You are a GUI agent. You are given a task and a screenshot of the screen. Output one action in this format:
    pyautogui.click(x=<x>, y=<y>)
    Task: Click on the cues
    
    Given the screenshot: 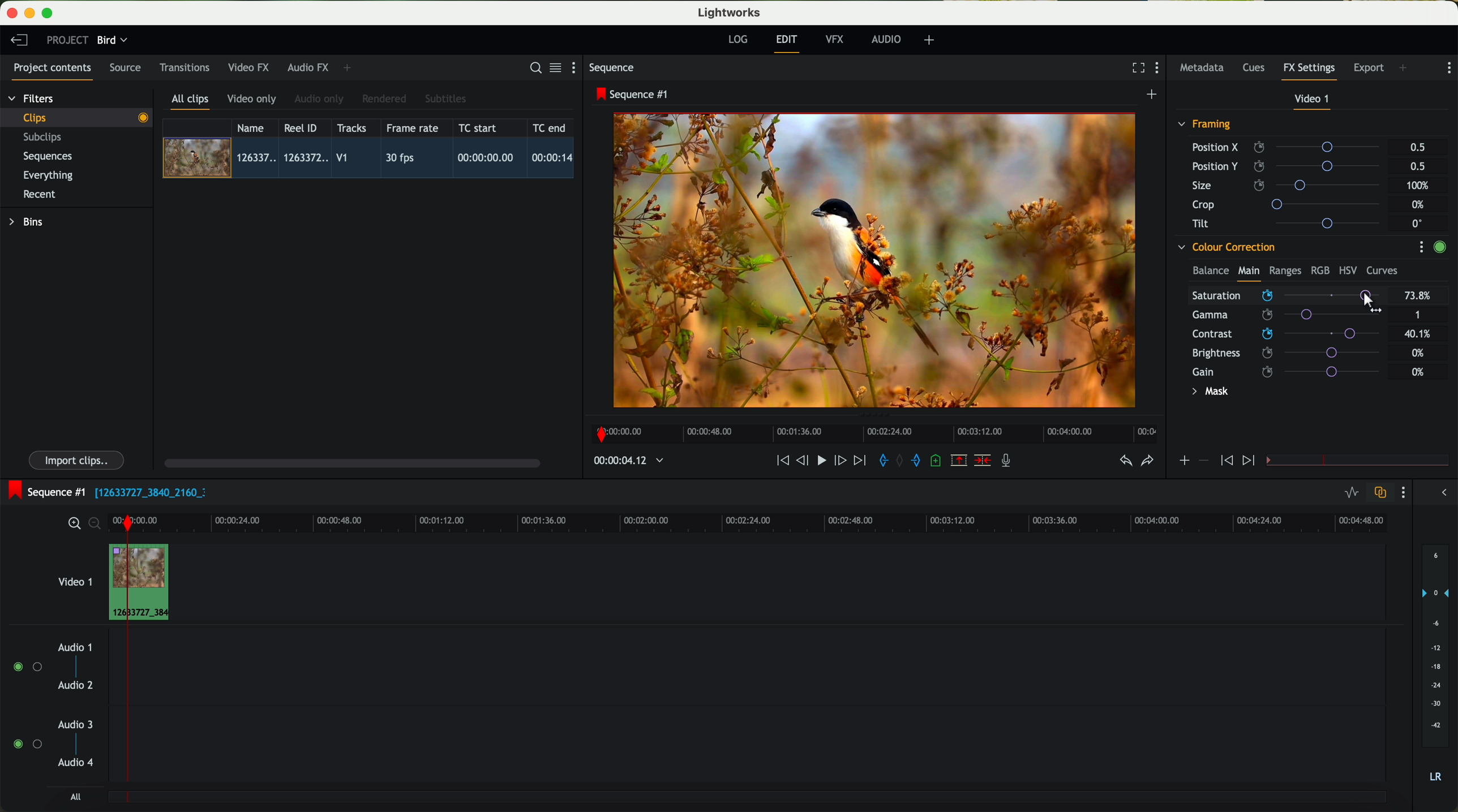 What is the action you would take?
    pyautogui.click(x=1257, y=68)
    